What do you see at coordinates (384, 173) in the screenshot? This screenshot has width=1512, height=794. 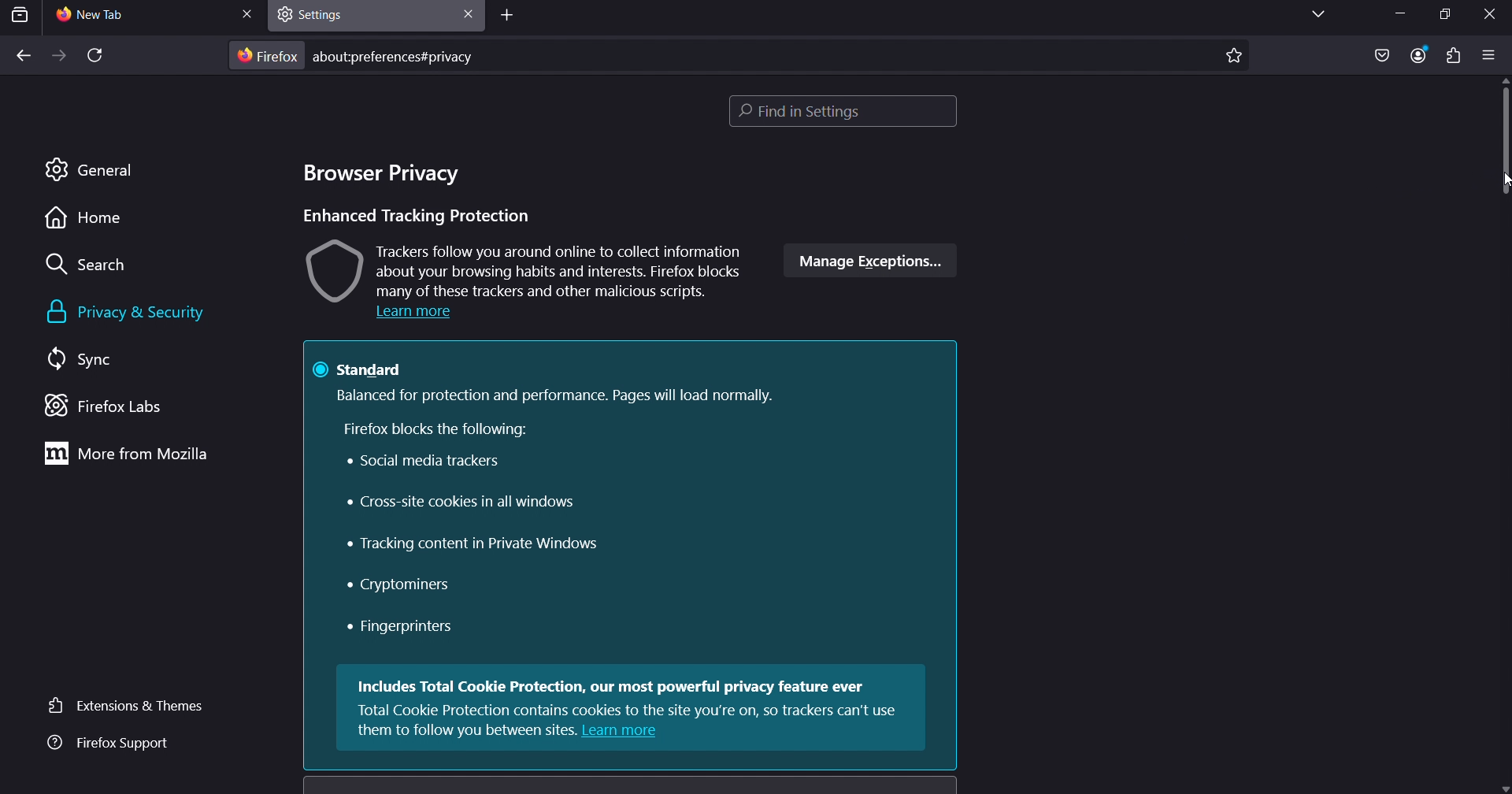 I see `browser privacy` at bounding box center [384, 173].